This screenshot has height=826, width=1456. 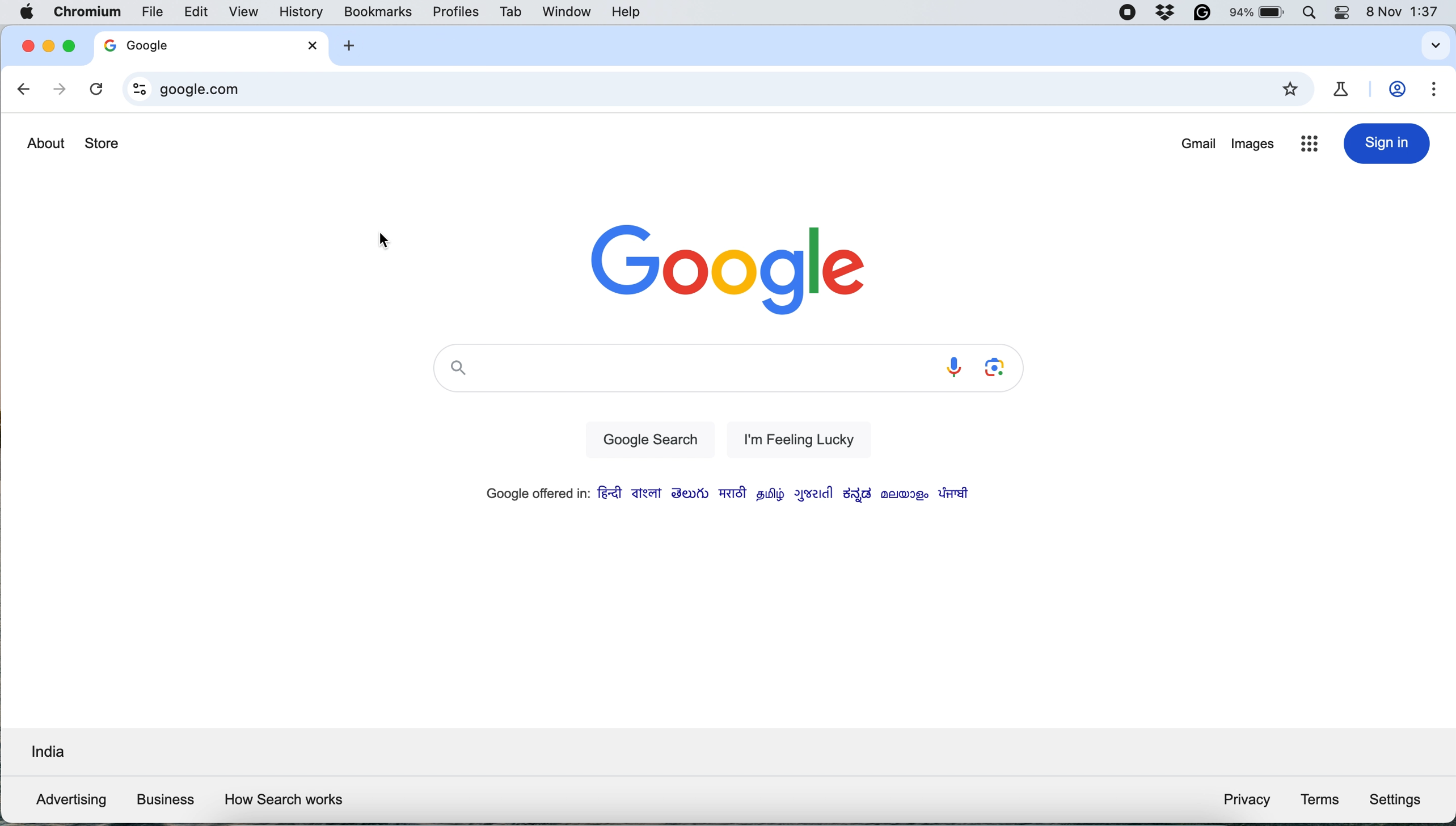 I want to click on screen recorder, so click(x=1128, y=14).